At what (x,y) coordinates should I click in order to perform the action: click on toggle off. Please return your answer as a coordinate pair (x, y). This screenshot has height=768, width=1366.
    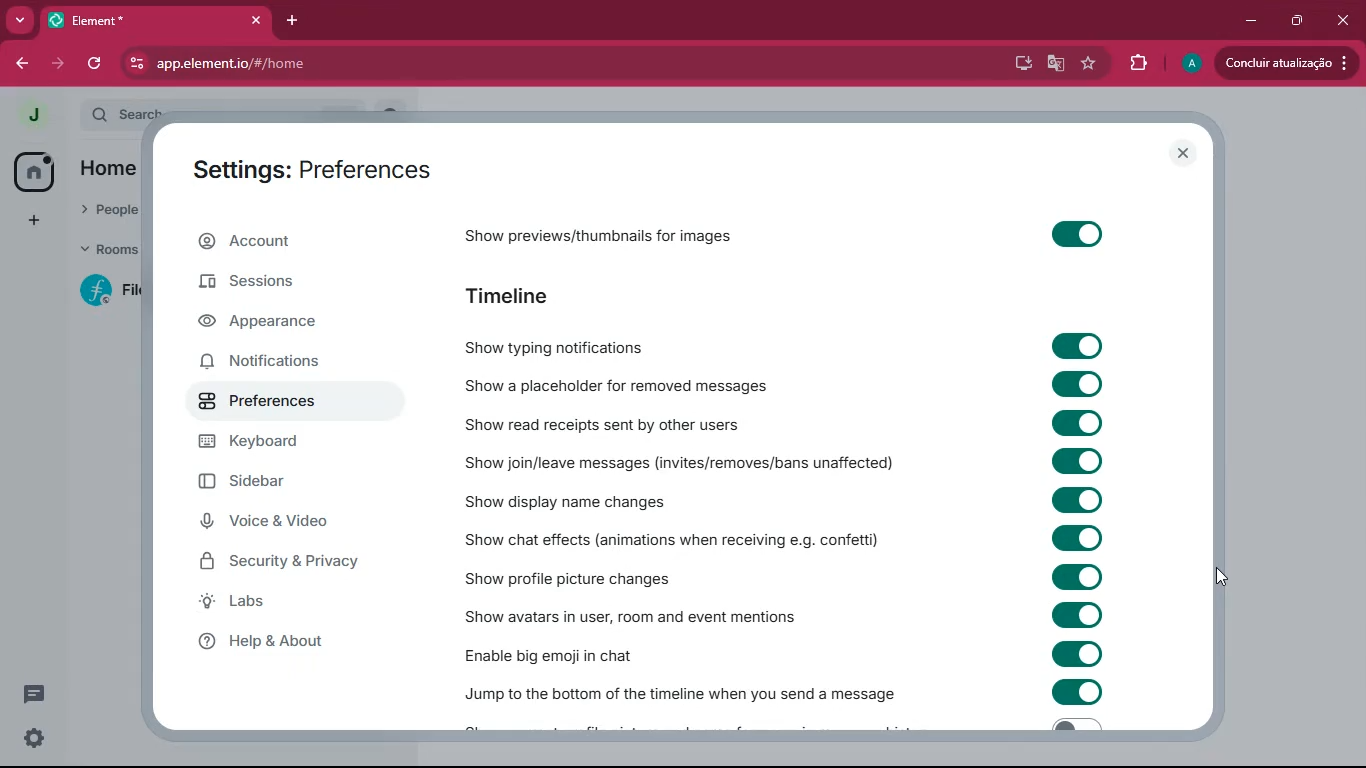
    Looking at the image, I should click on (1073, 727).